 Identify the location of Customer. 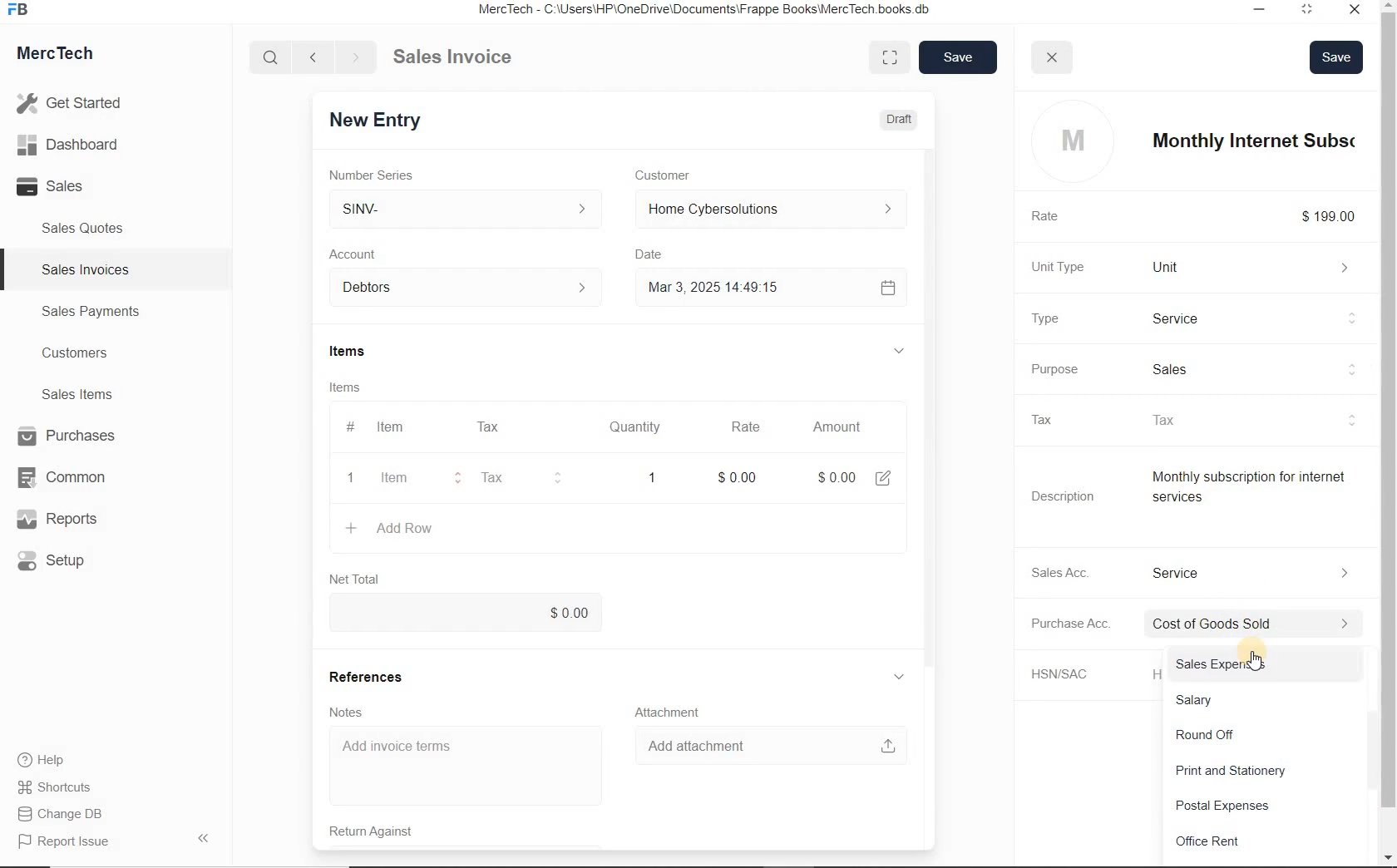
(680, 175).